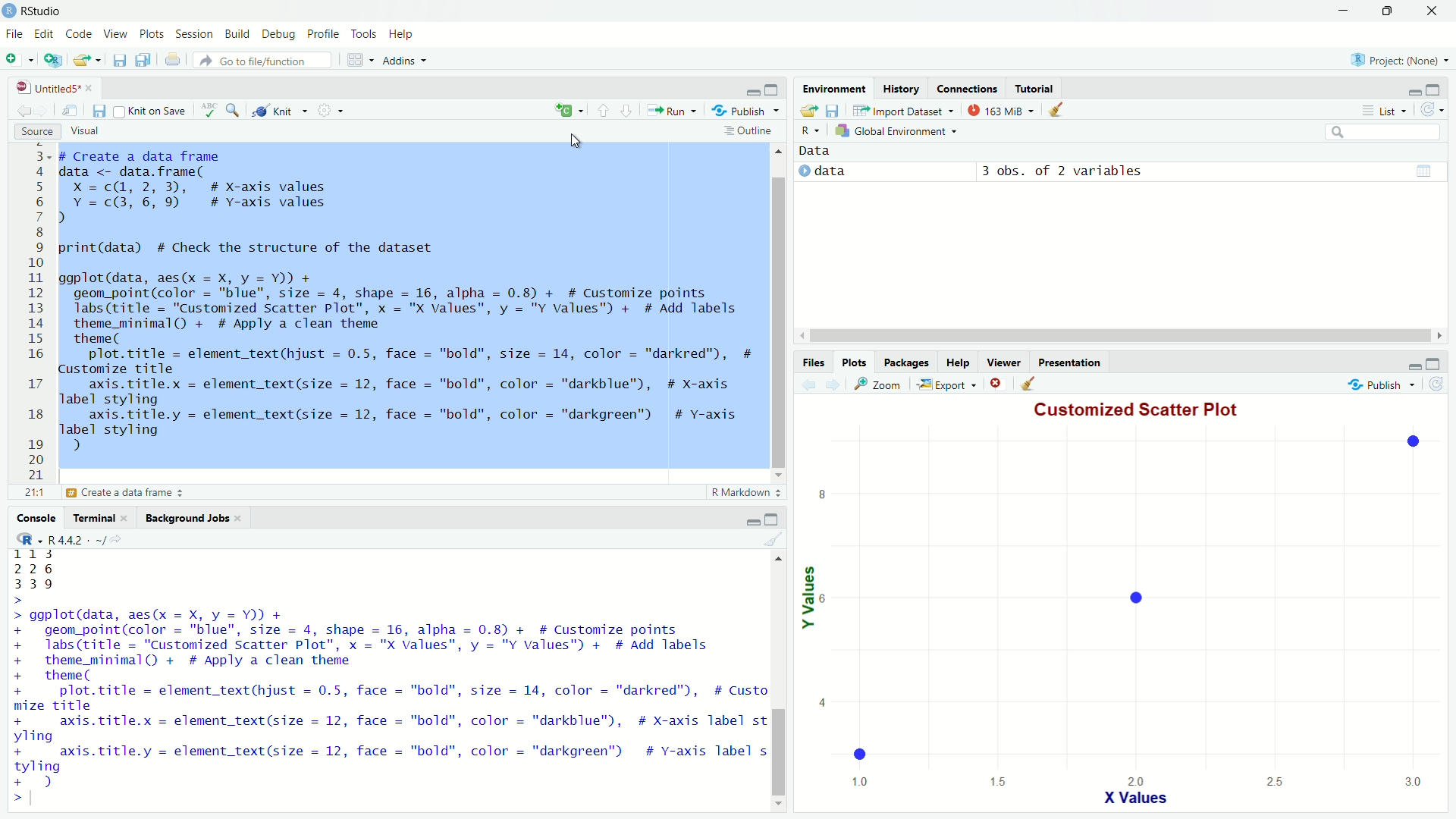  Describe the element at coordinates (1382, 131) in the screenshot. I see `Search` at that location.